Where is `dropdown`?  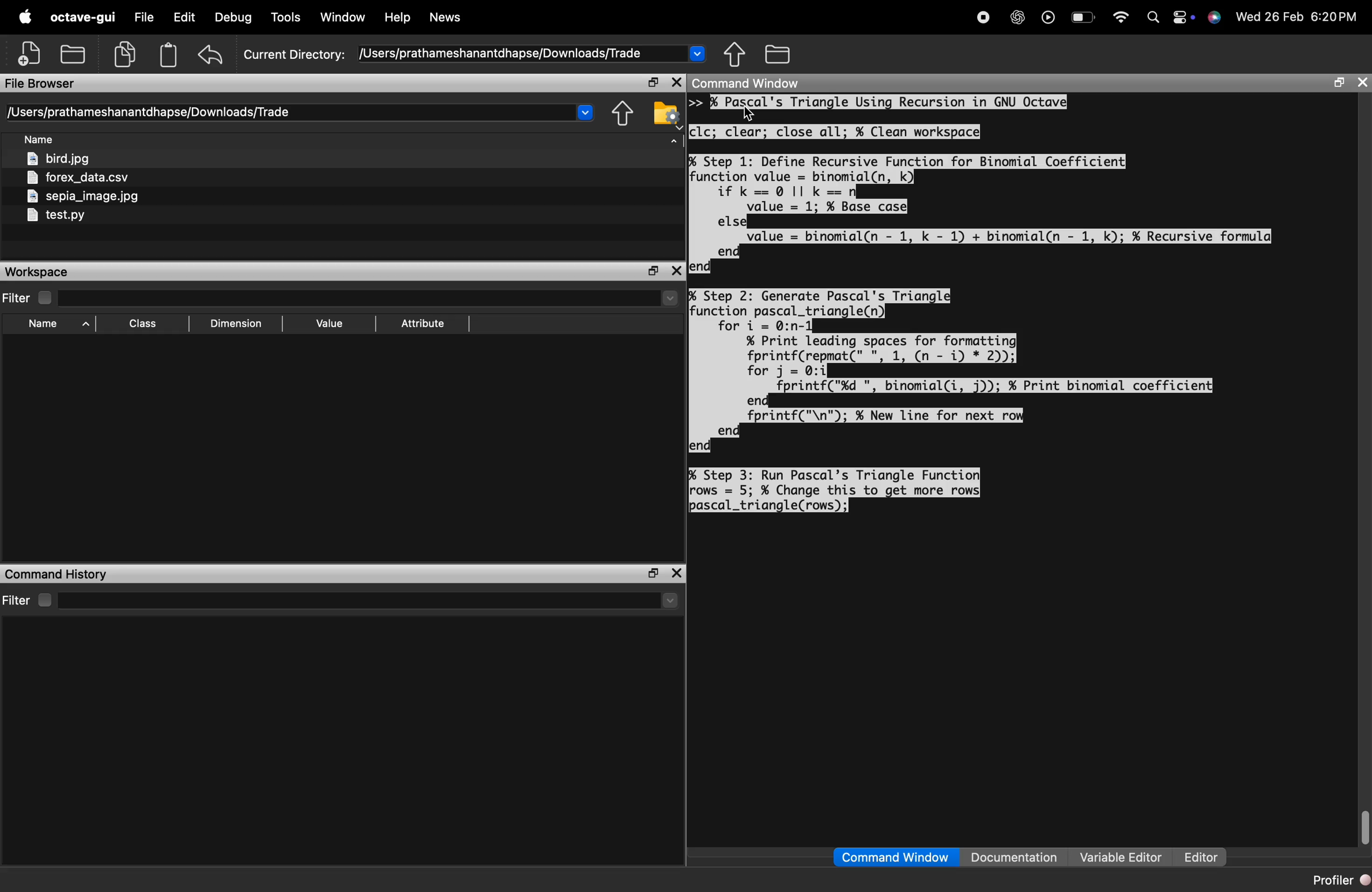
dropdown is located at coordinates (585, 112).